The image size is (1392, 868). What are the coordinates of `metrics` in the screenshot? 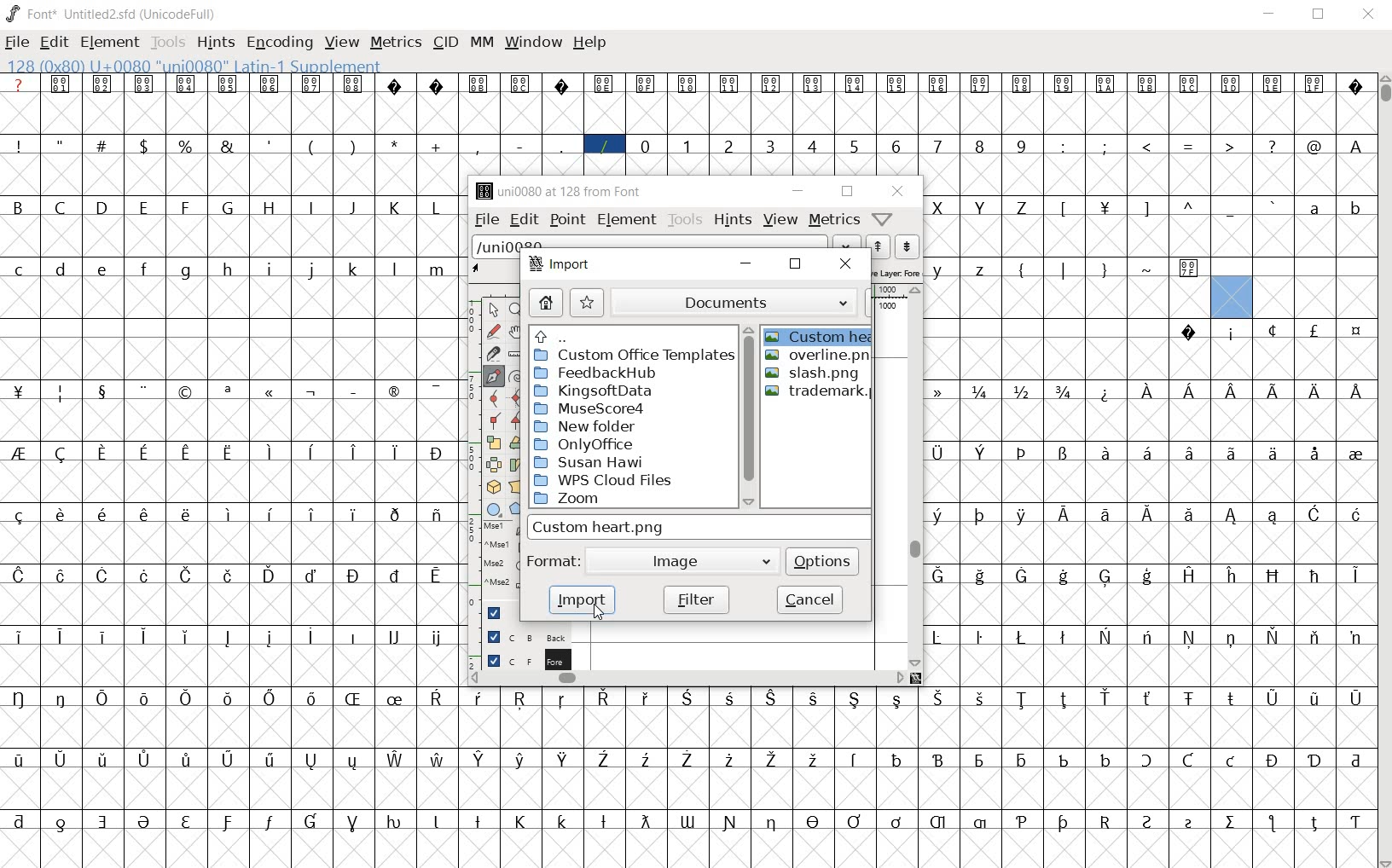 It's located at (832, 219).